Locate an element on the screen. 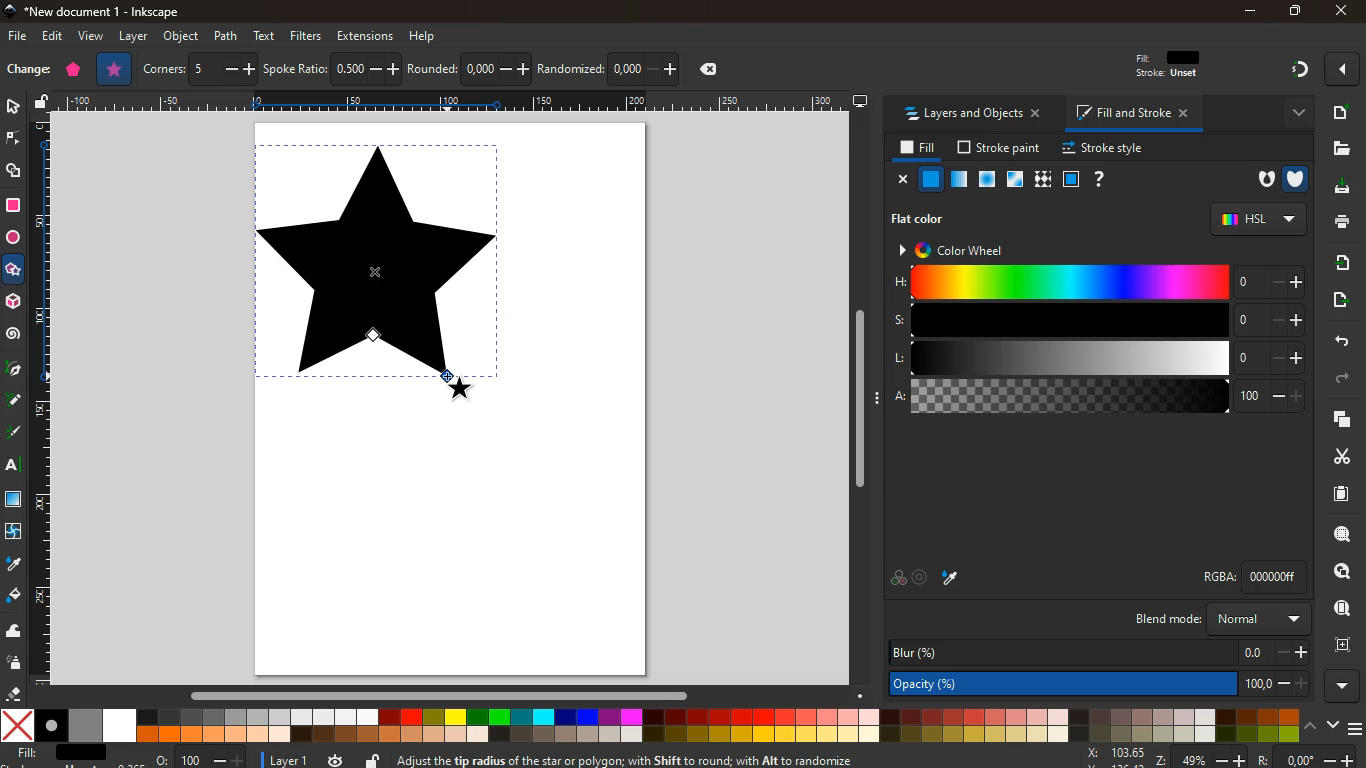 The image size is (1366, 768). close is located at coordinates (1343, 9).